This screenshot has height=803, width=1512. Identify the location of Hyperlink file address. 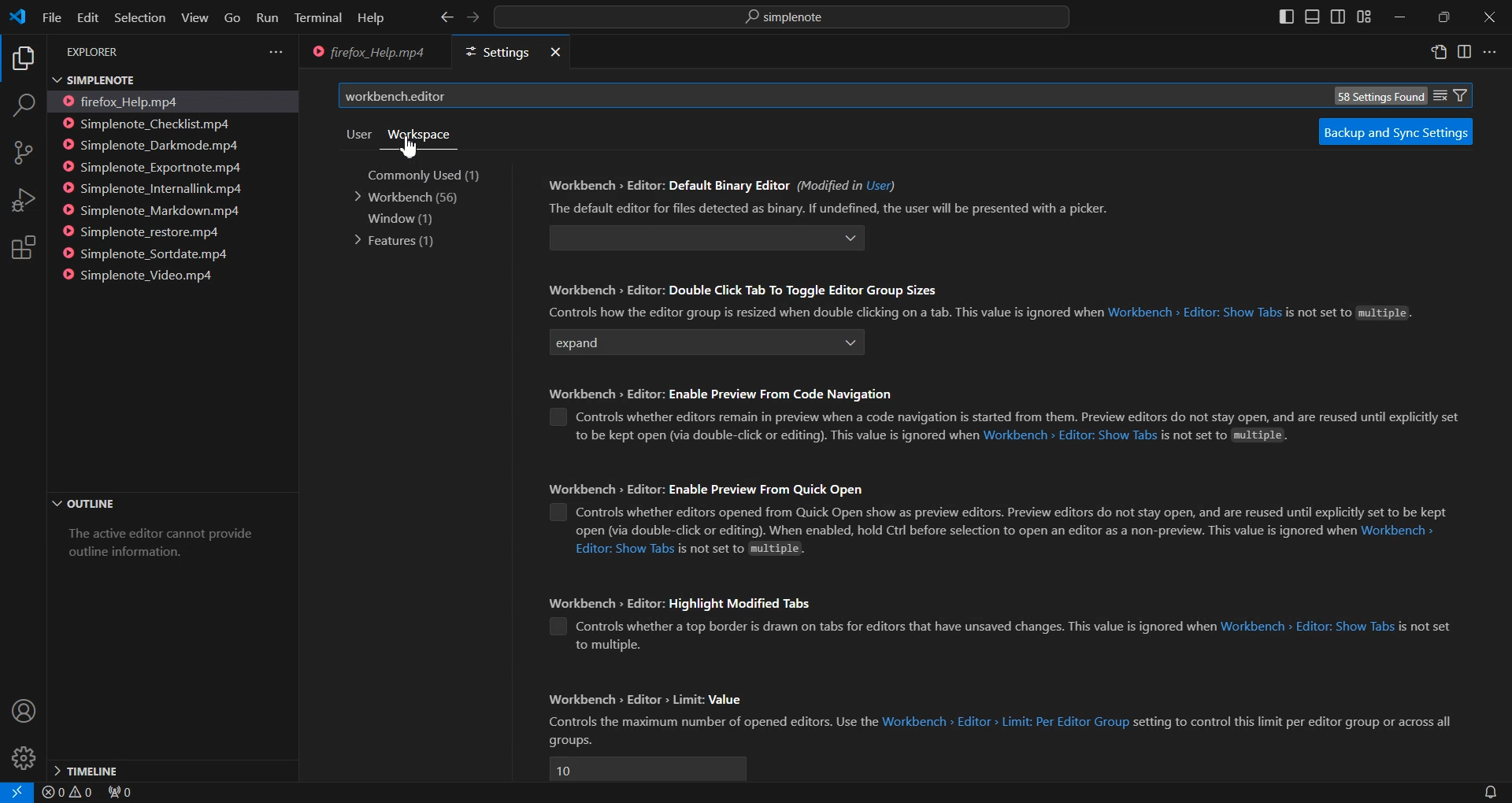
(1399, 532).